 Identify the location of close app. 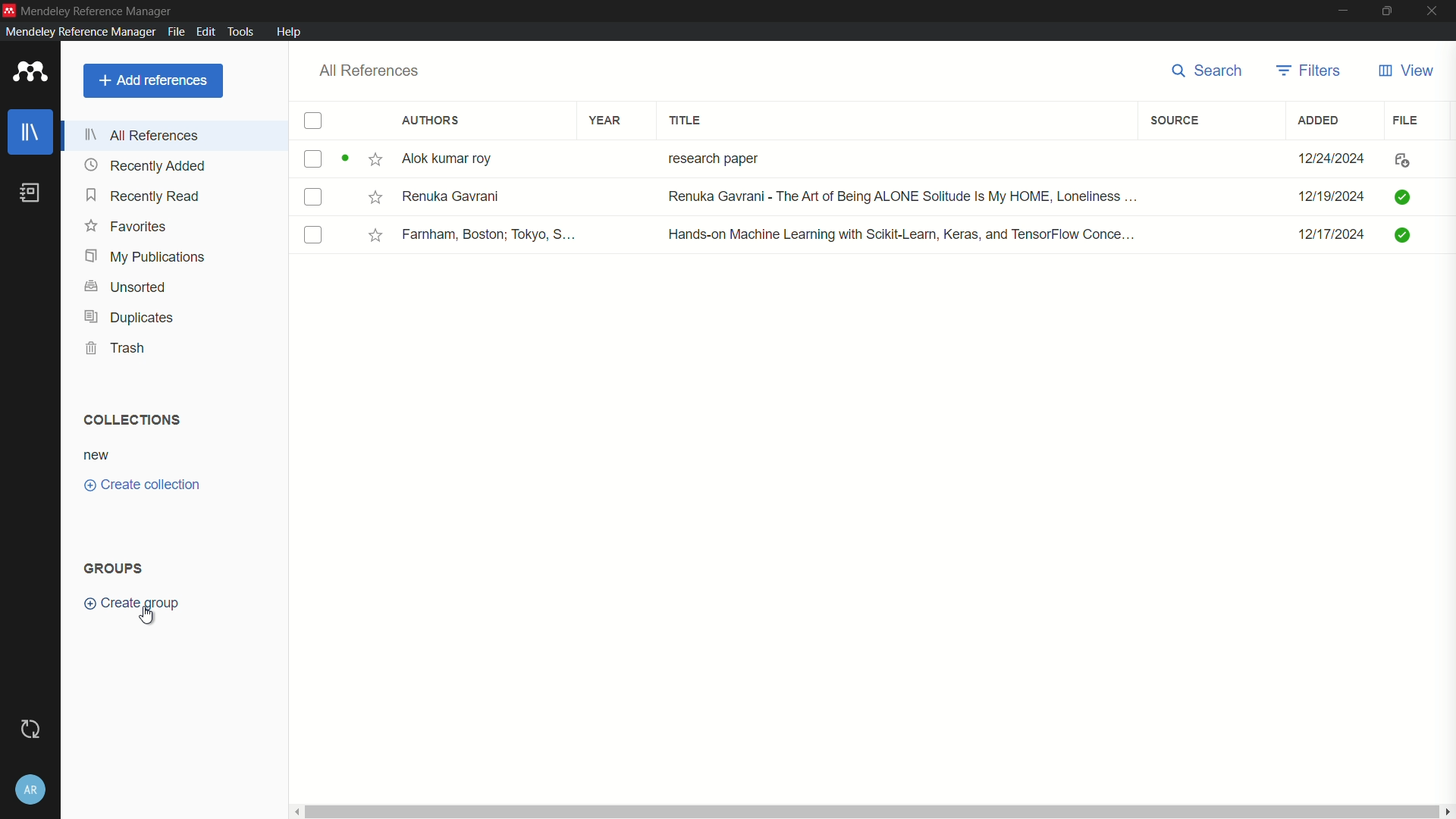
(1434, 11).